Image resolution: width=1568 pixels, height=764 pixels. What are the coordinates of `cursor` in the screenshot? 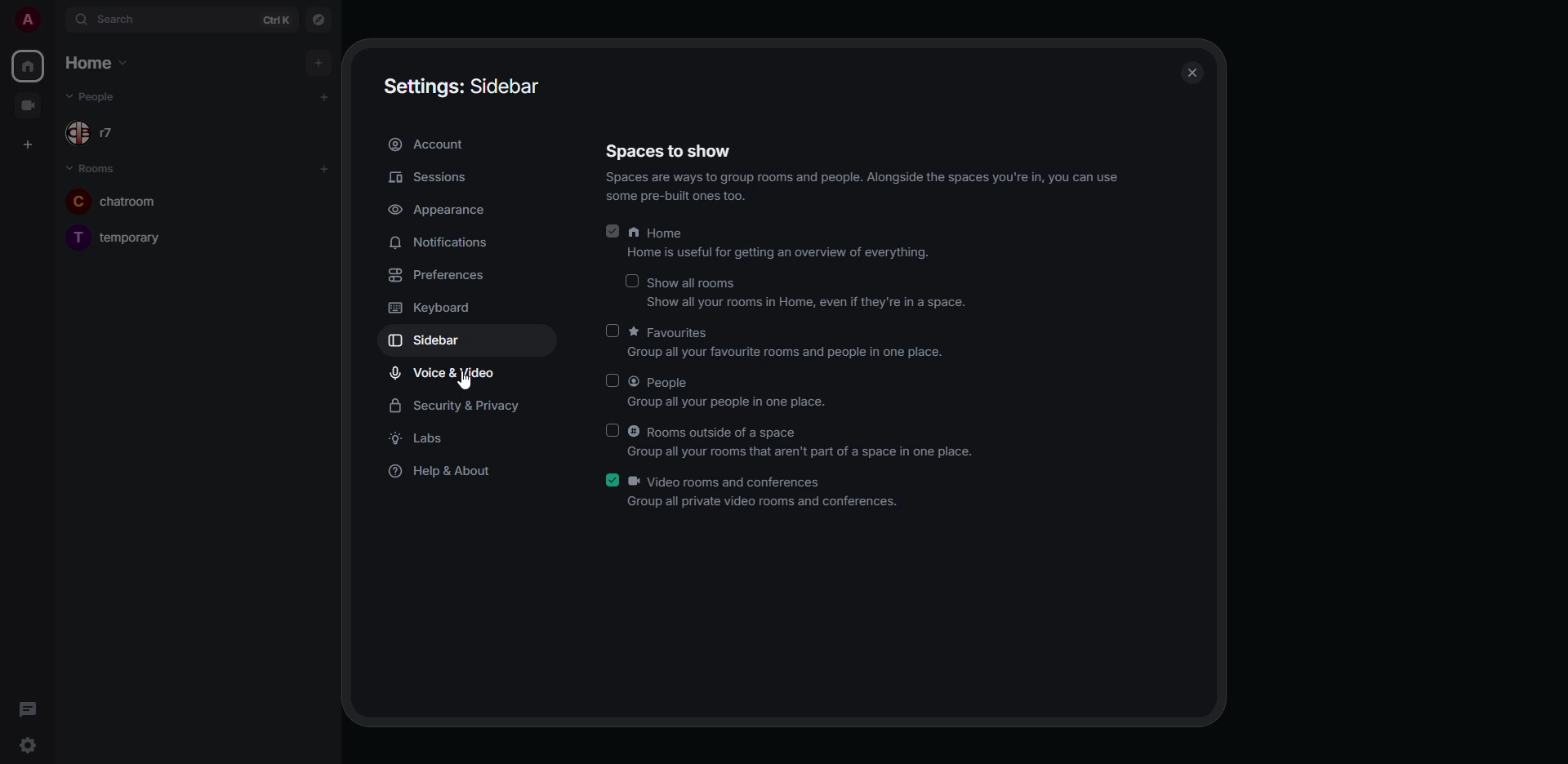 It's located at (457, 383).